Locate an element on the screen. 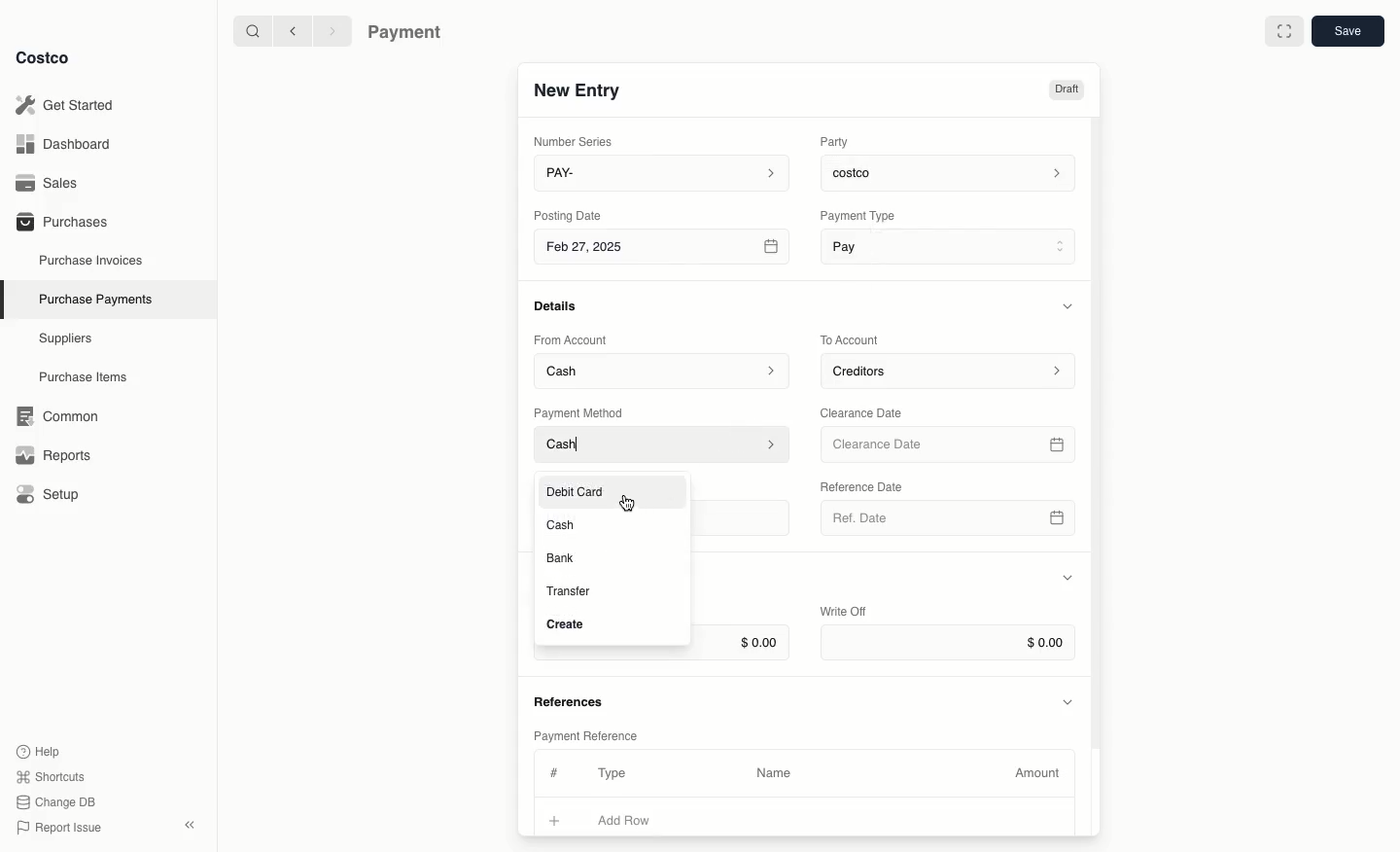  Back is located at coordinates (293, 30).